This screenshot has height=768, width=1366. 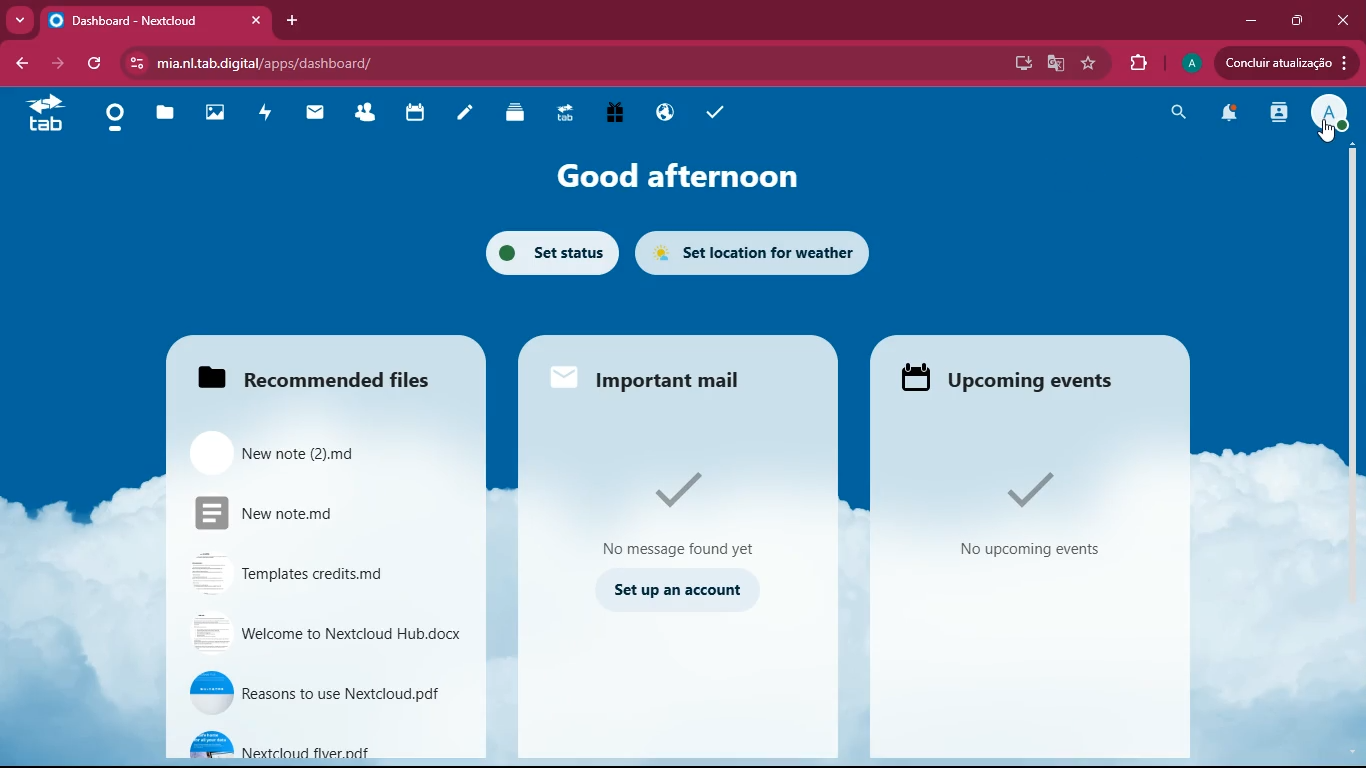 I want to click on notes, so click(x=465, y=116).